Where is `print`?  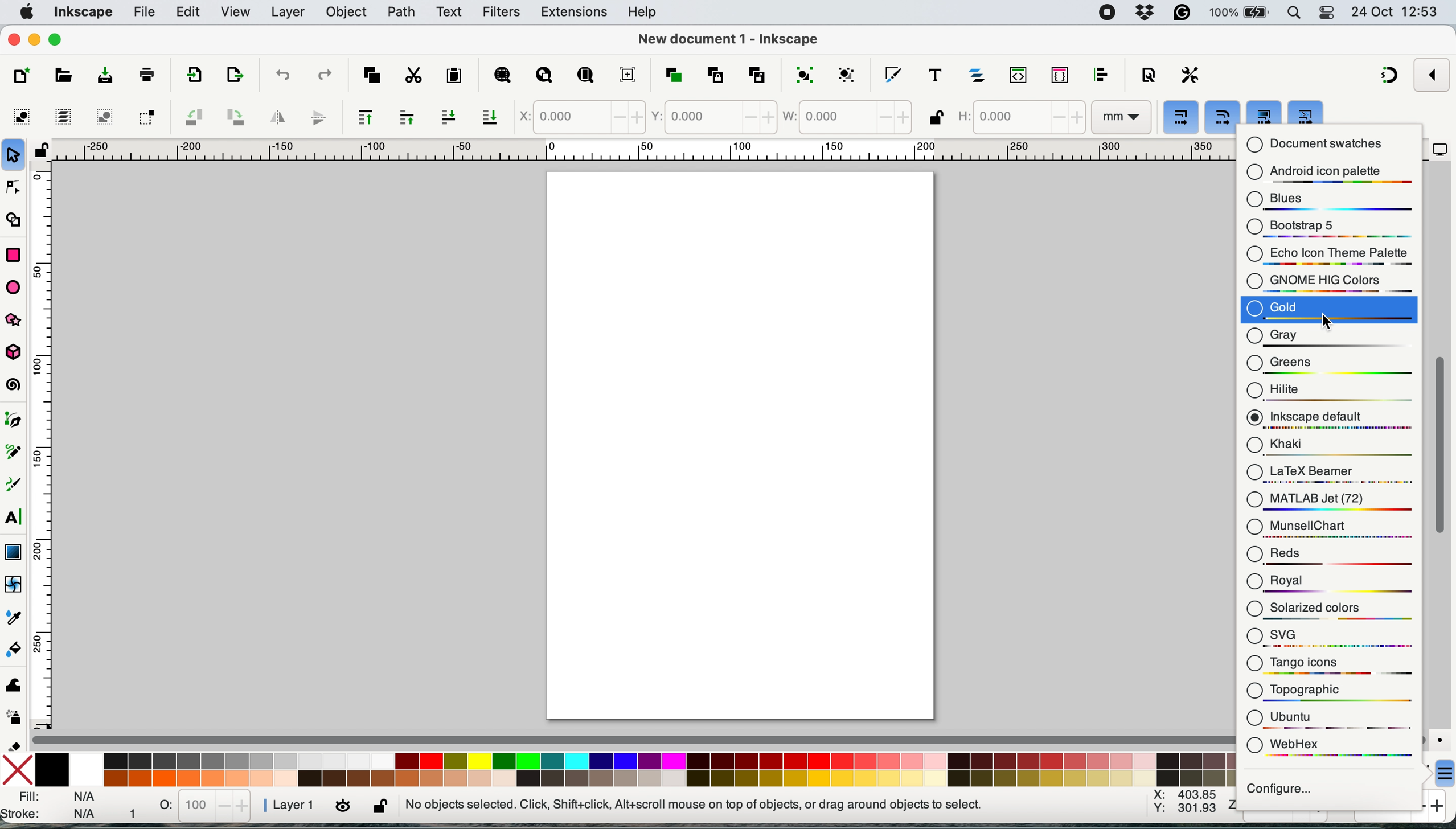
print is located at coordinates (147, 75).